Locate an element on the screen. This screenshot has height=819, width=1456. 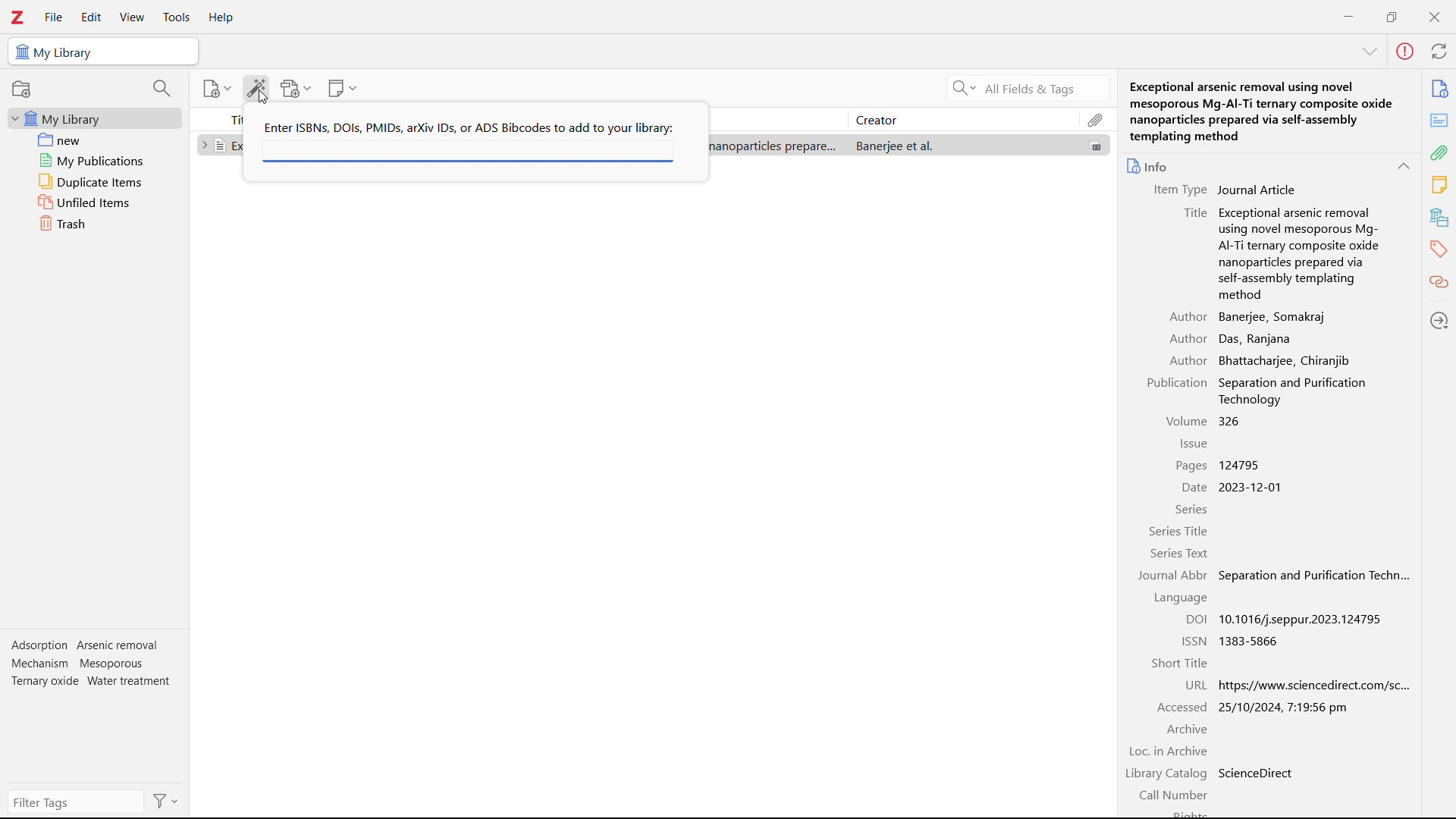
Series is located at coordinates (1191, 510).